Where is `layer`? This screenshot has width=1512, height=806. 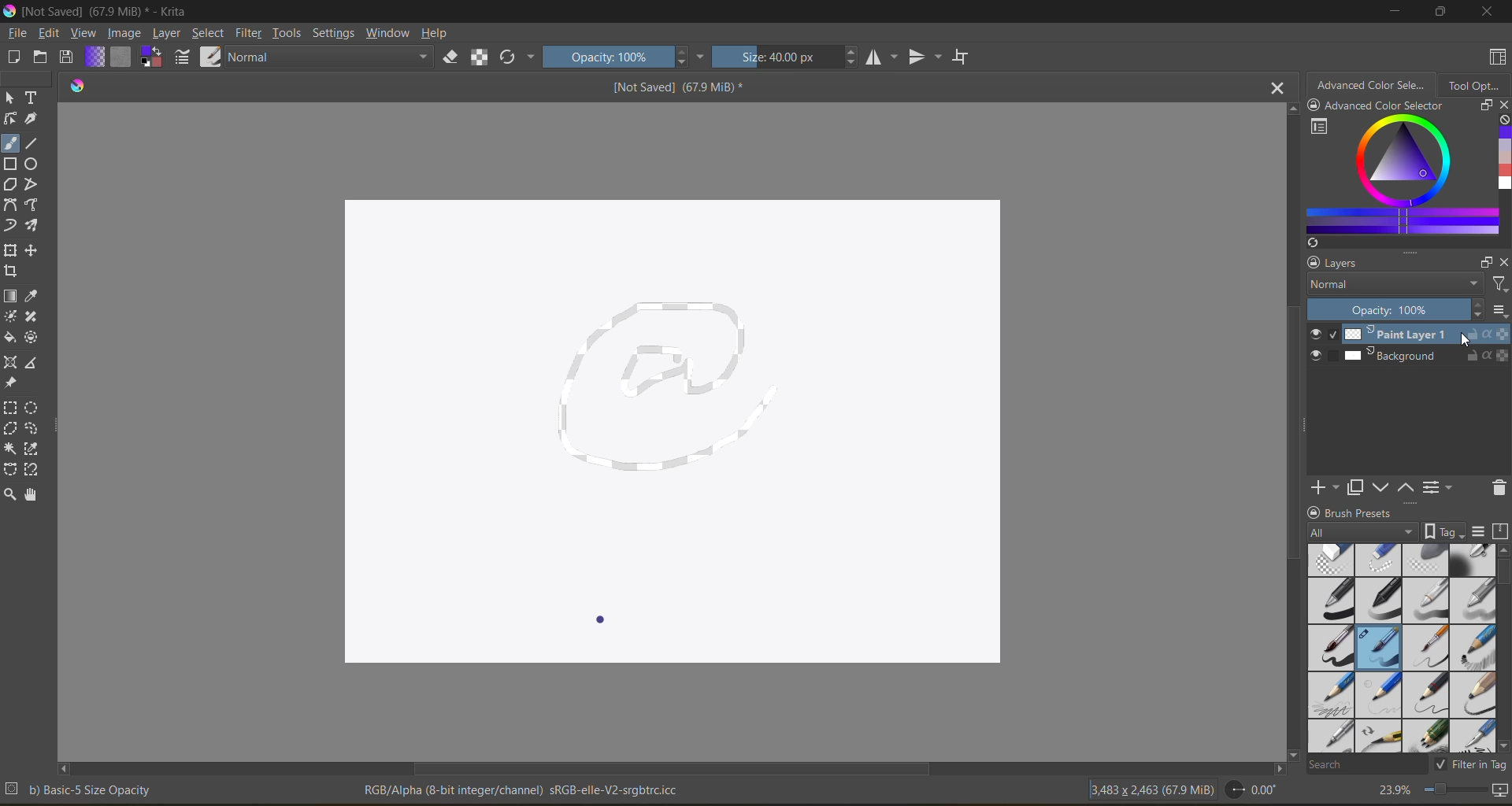
layer is located at coordinates (166, 34).